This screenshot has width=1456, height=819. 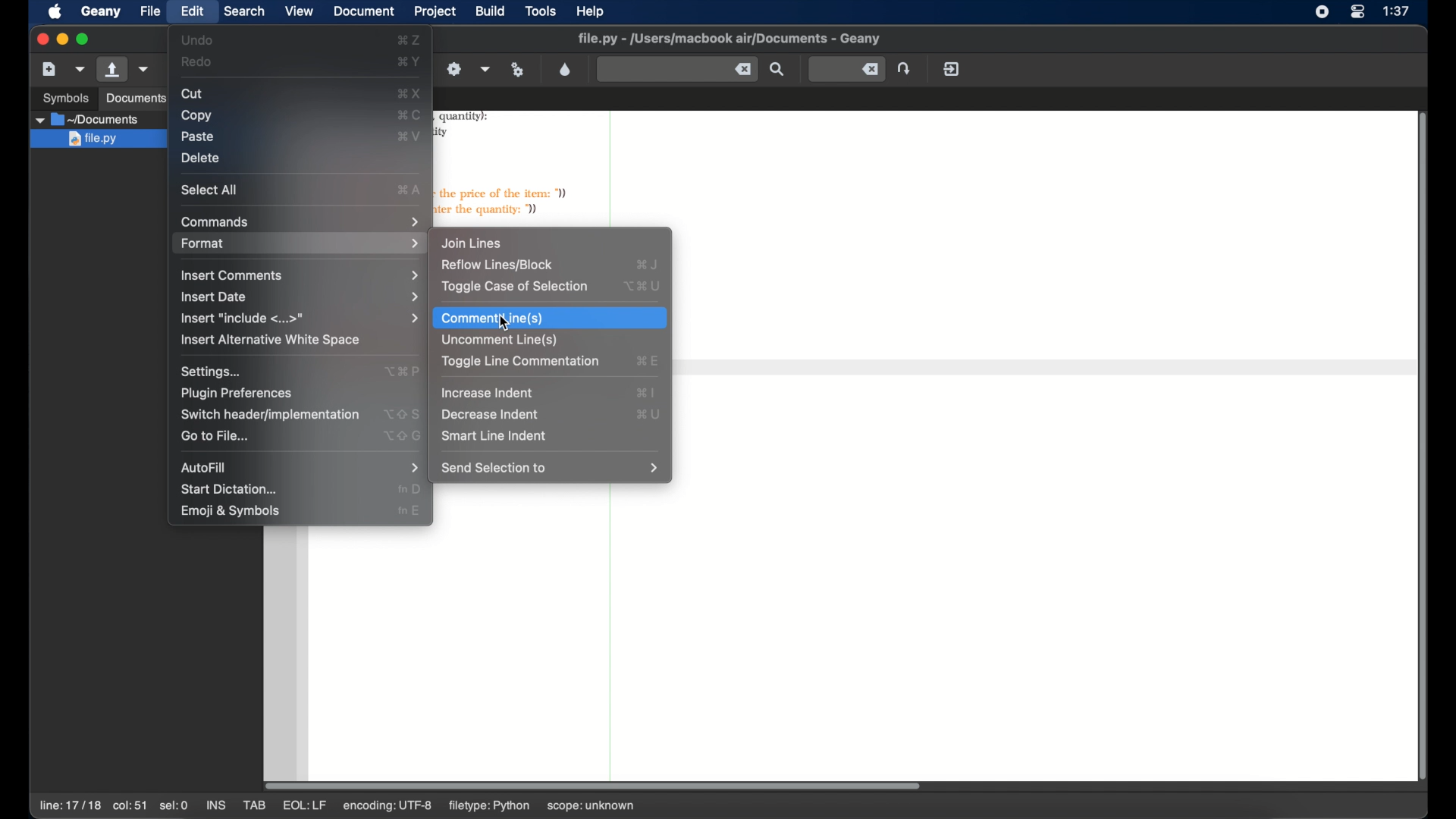 I want to click on documents, so click(x=89, y=120).